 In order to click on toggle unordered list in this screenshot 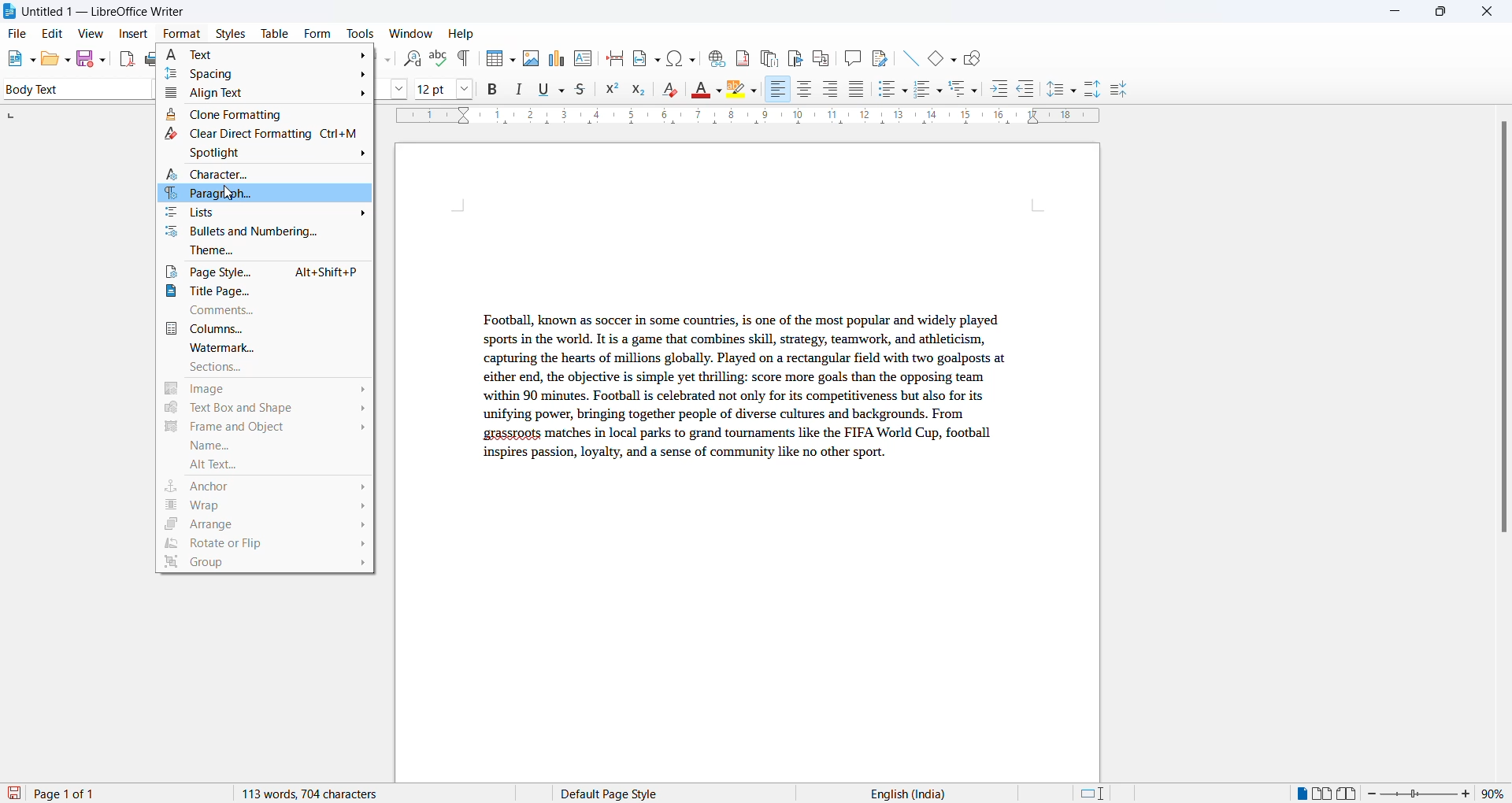, I will do `click(892, 89)`.